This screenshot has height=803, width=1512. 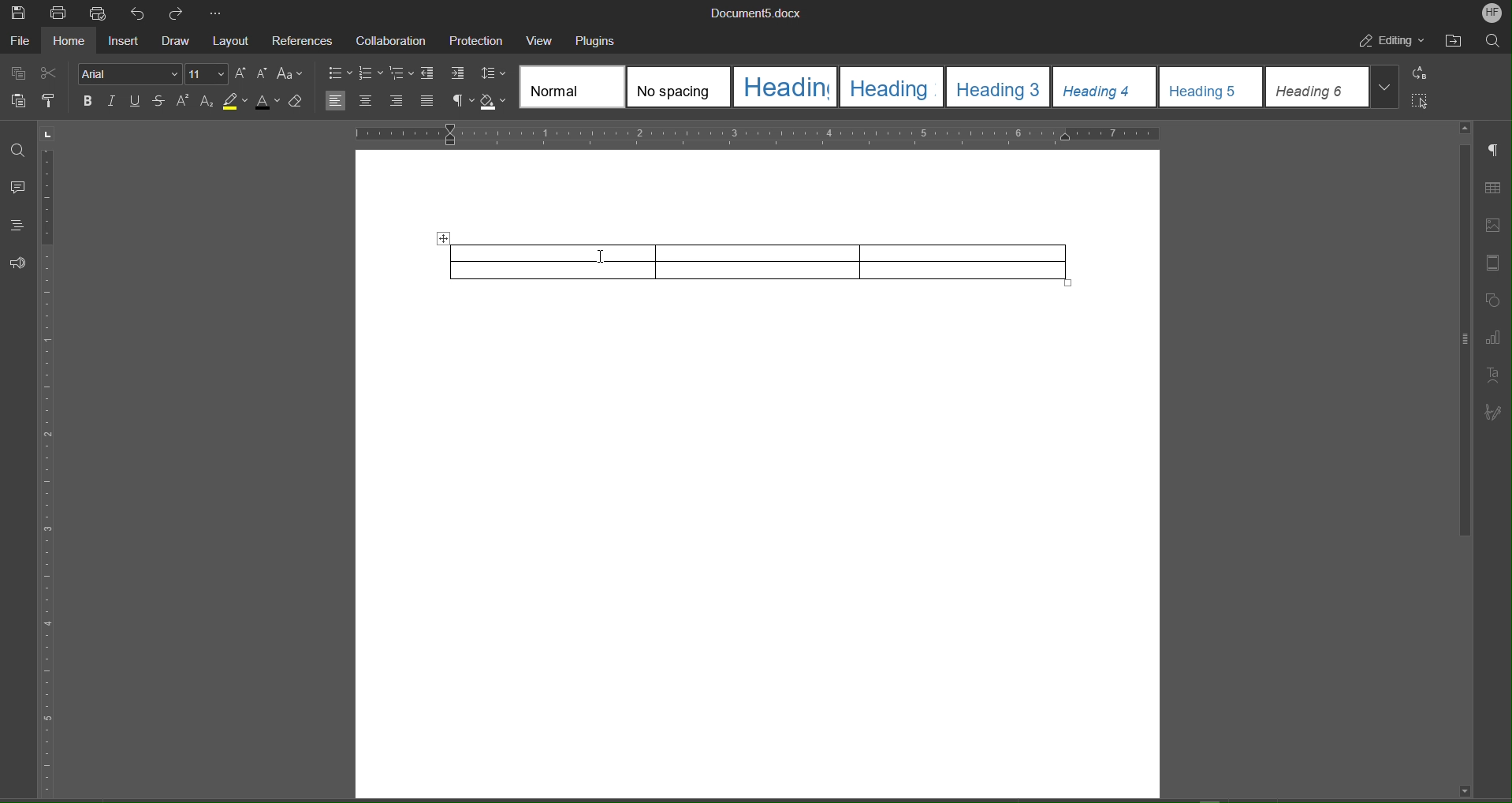 I want to click on Copy, so click(x=16, y=72).